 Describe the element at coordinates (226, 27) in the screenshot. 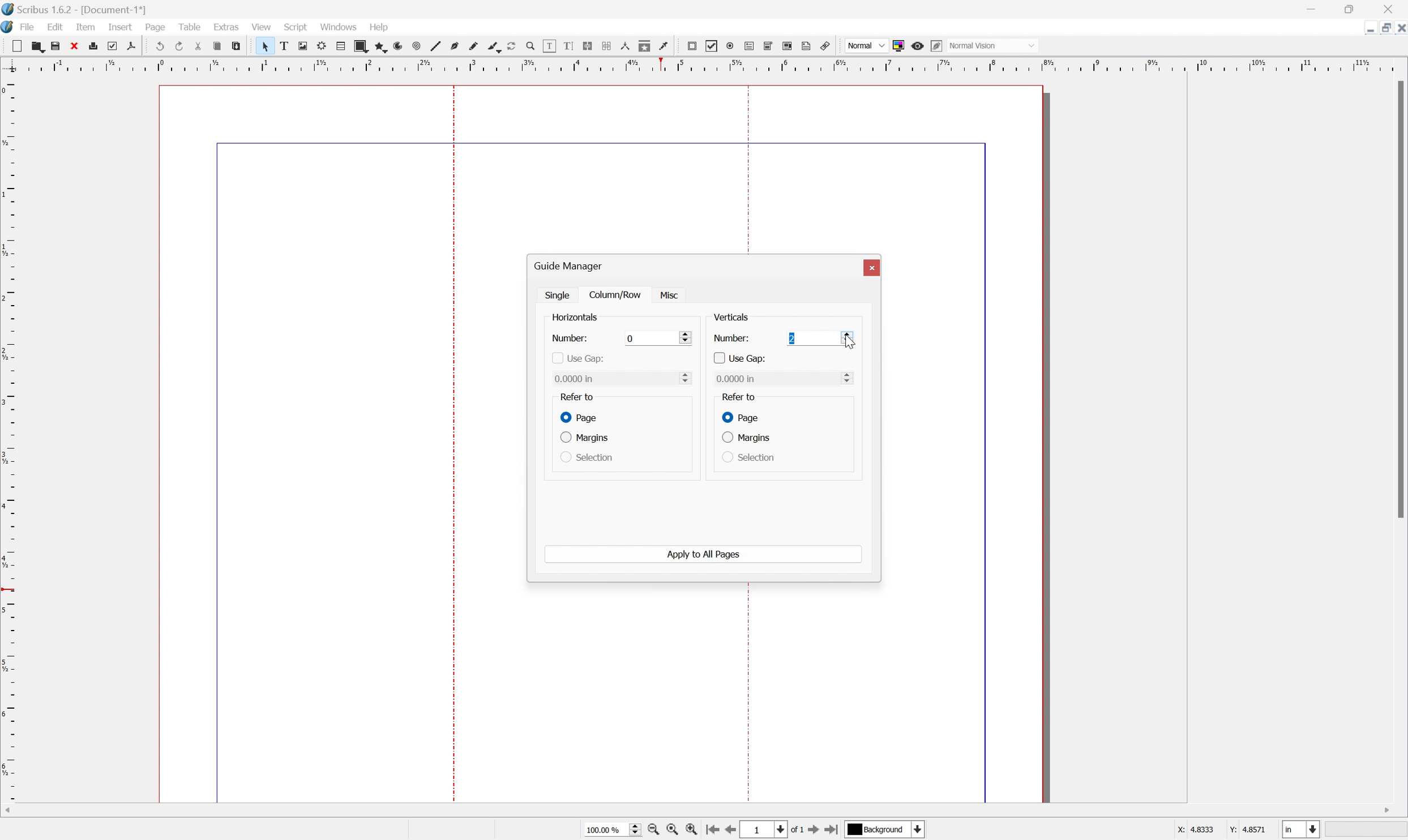

I see `extras` at that location.